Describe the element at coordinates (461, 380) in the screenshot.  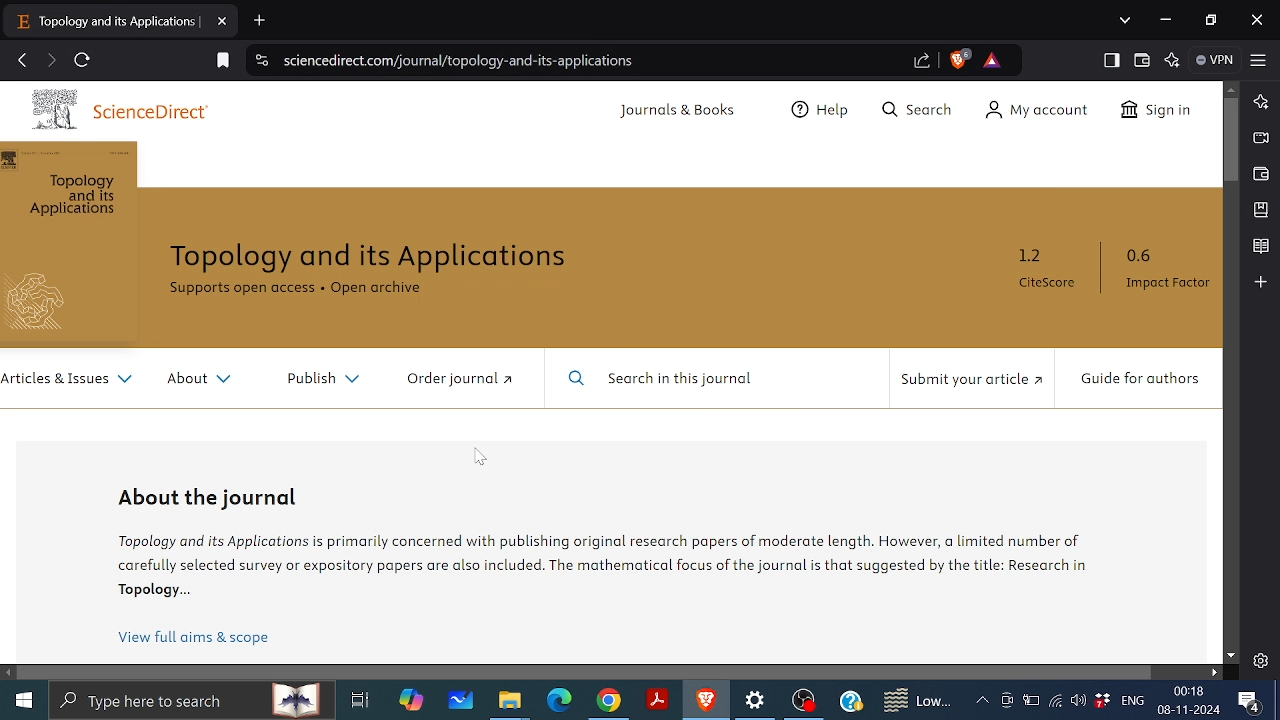
I see `Order journal` at that location.